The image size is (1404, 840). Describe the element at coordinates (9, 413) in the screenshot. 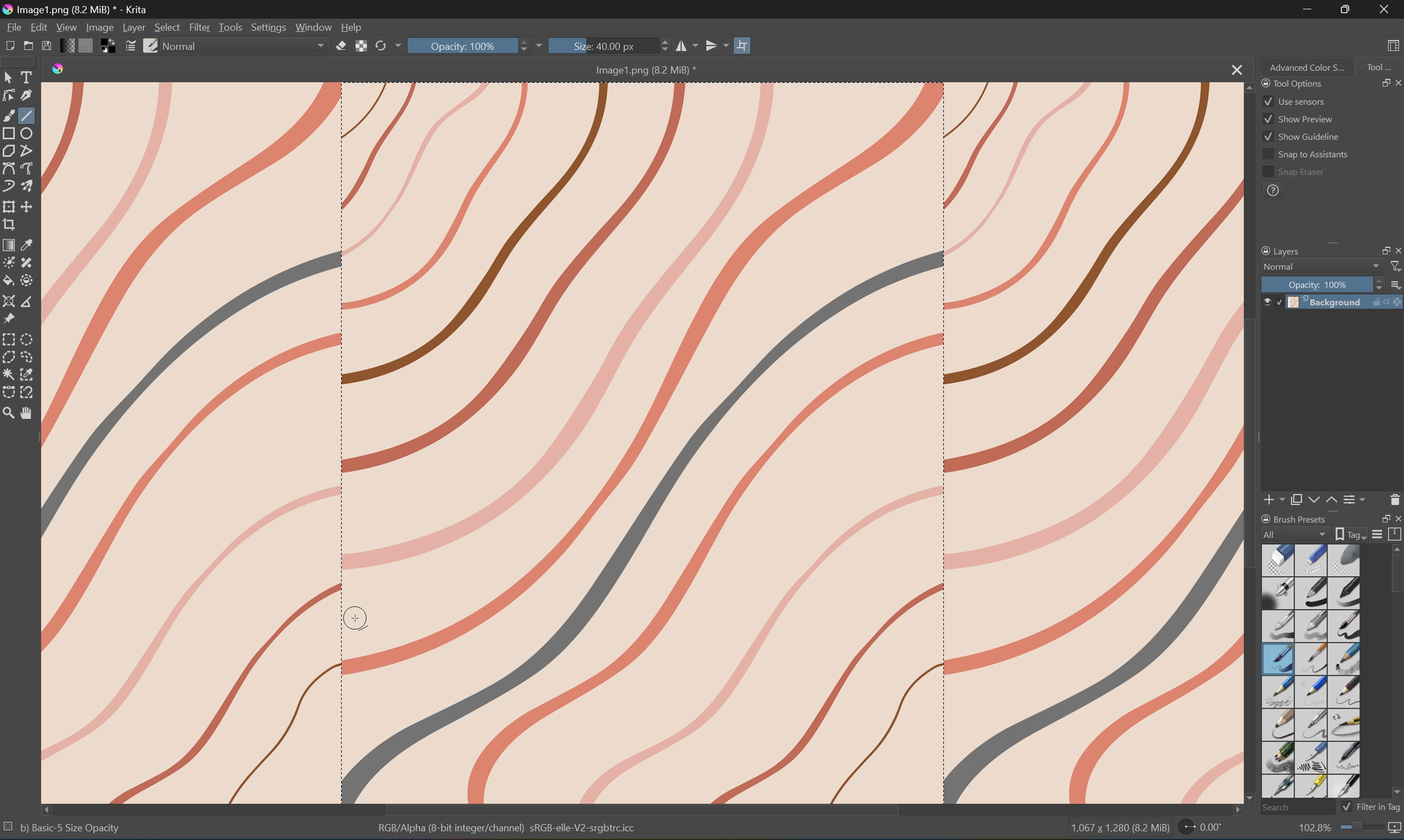

I see `Zoom tool` at that location.